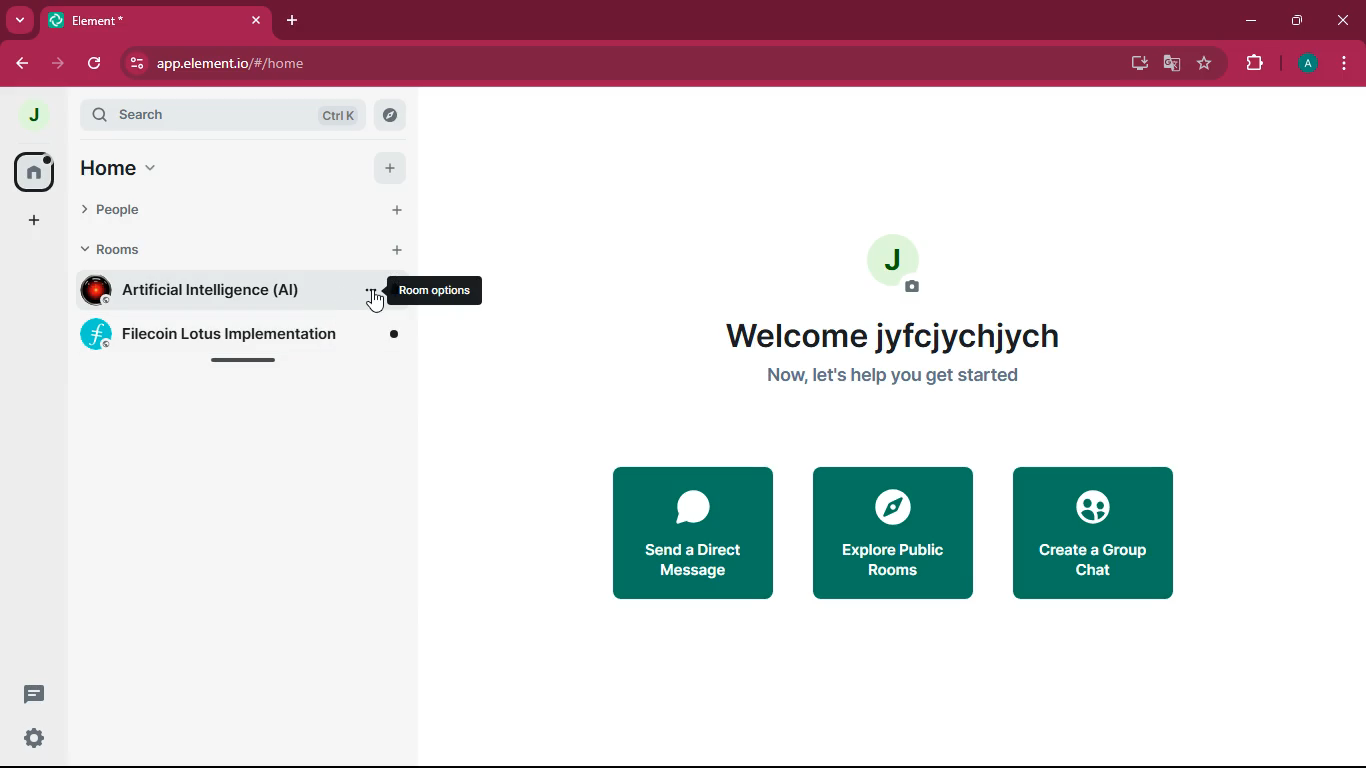  I want to click on dd, so click(32, 224).